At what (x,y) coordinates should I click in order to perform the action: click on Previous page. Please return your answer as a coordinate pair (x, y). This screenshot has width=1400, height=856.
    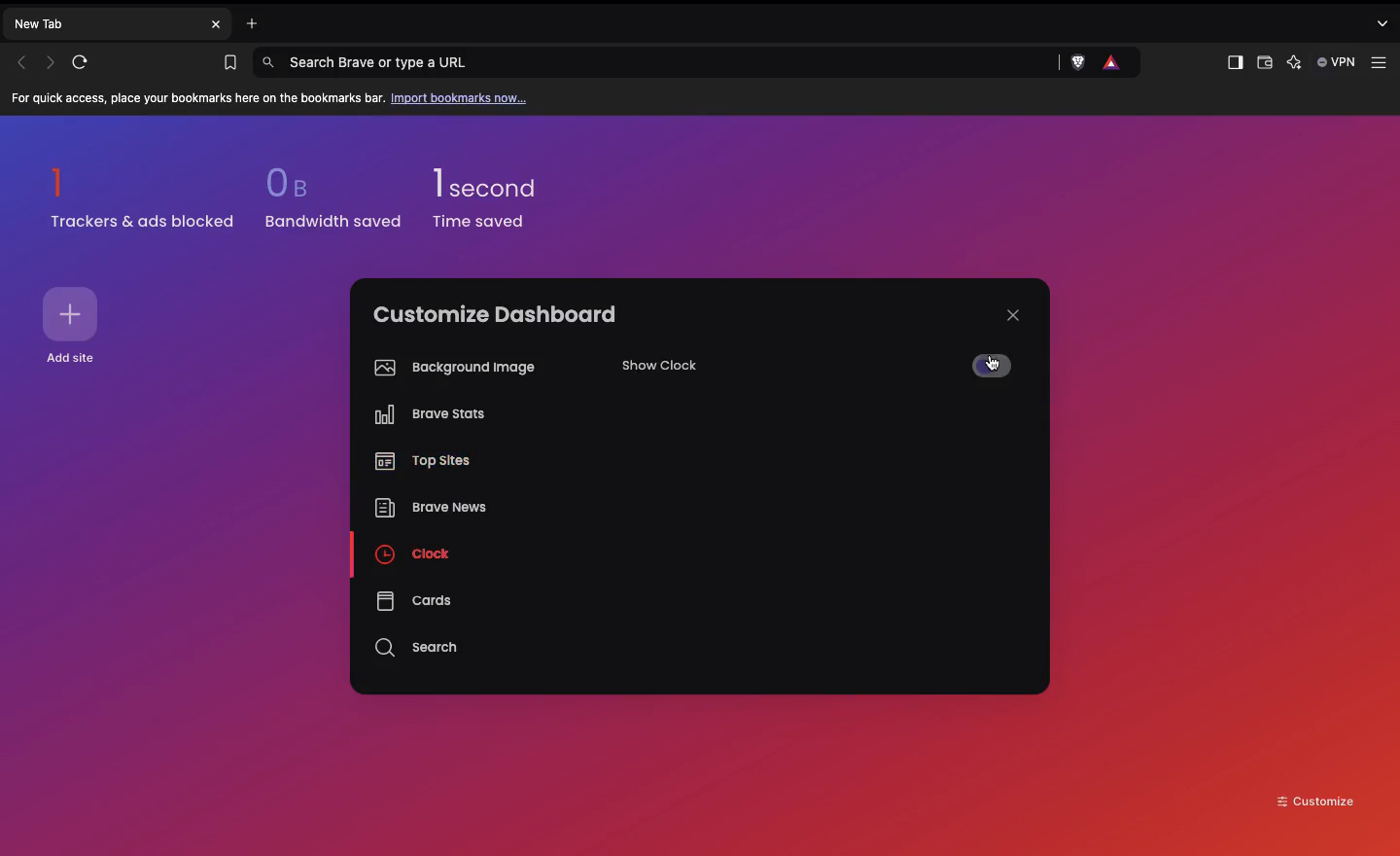
    Looking at the image, I should click on (21, 62).